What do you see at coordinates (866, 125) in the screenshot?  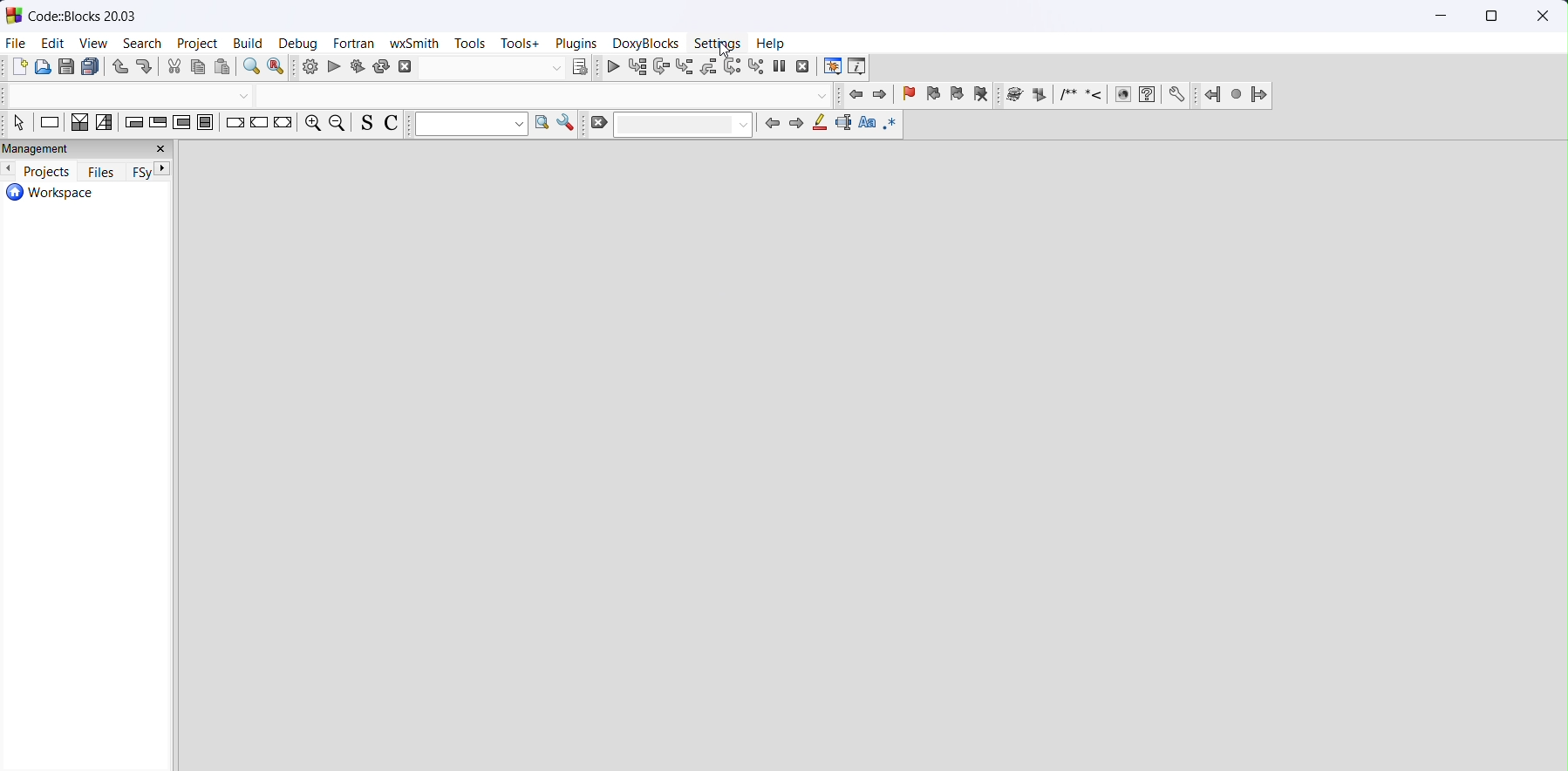 I see `match case` at bounding box center [866, 125].